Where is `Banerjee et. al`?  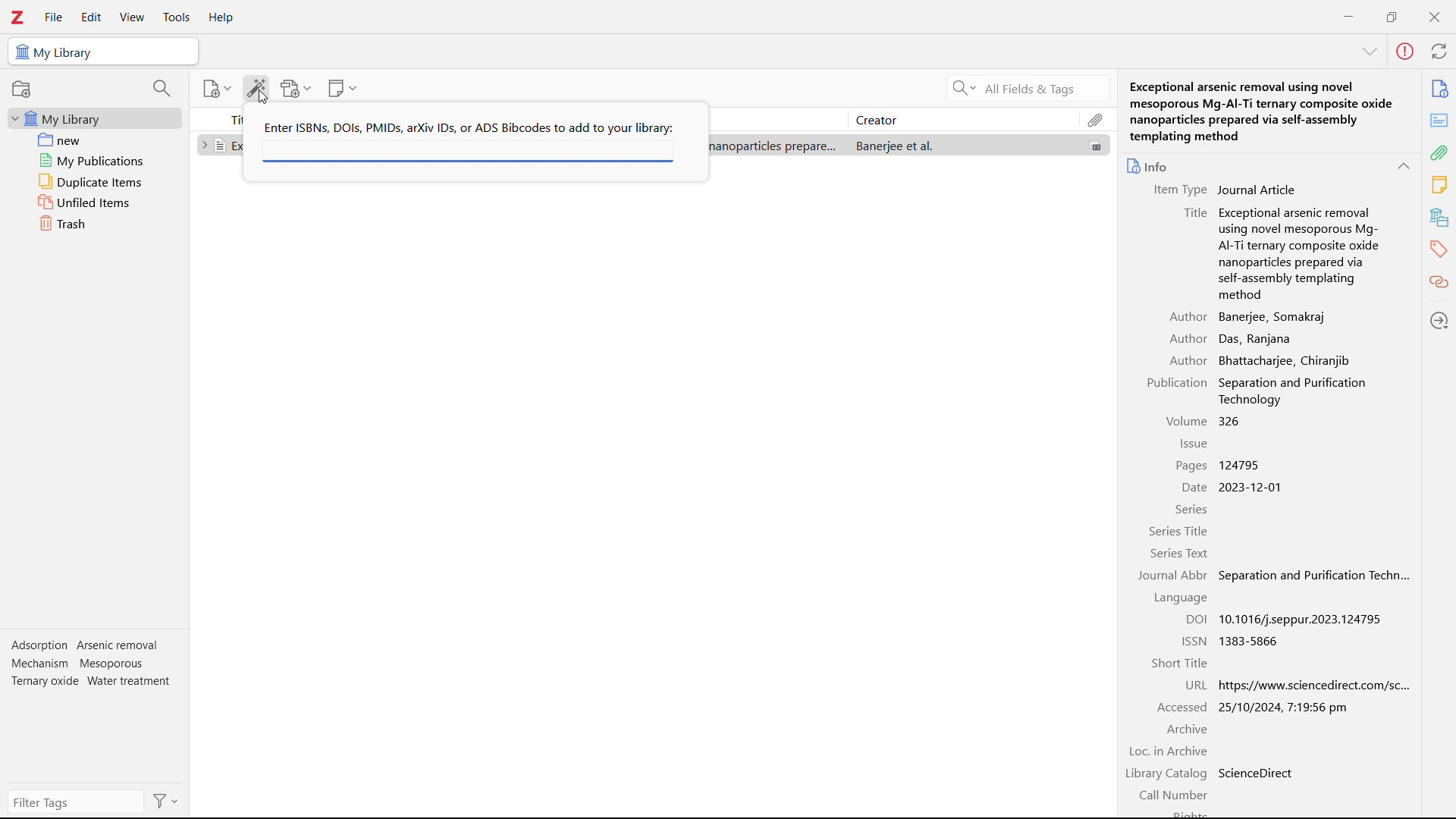 Banerjee et. al is located at coordinates (962, 145).